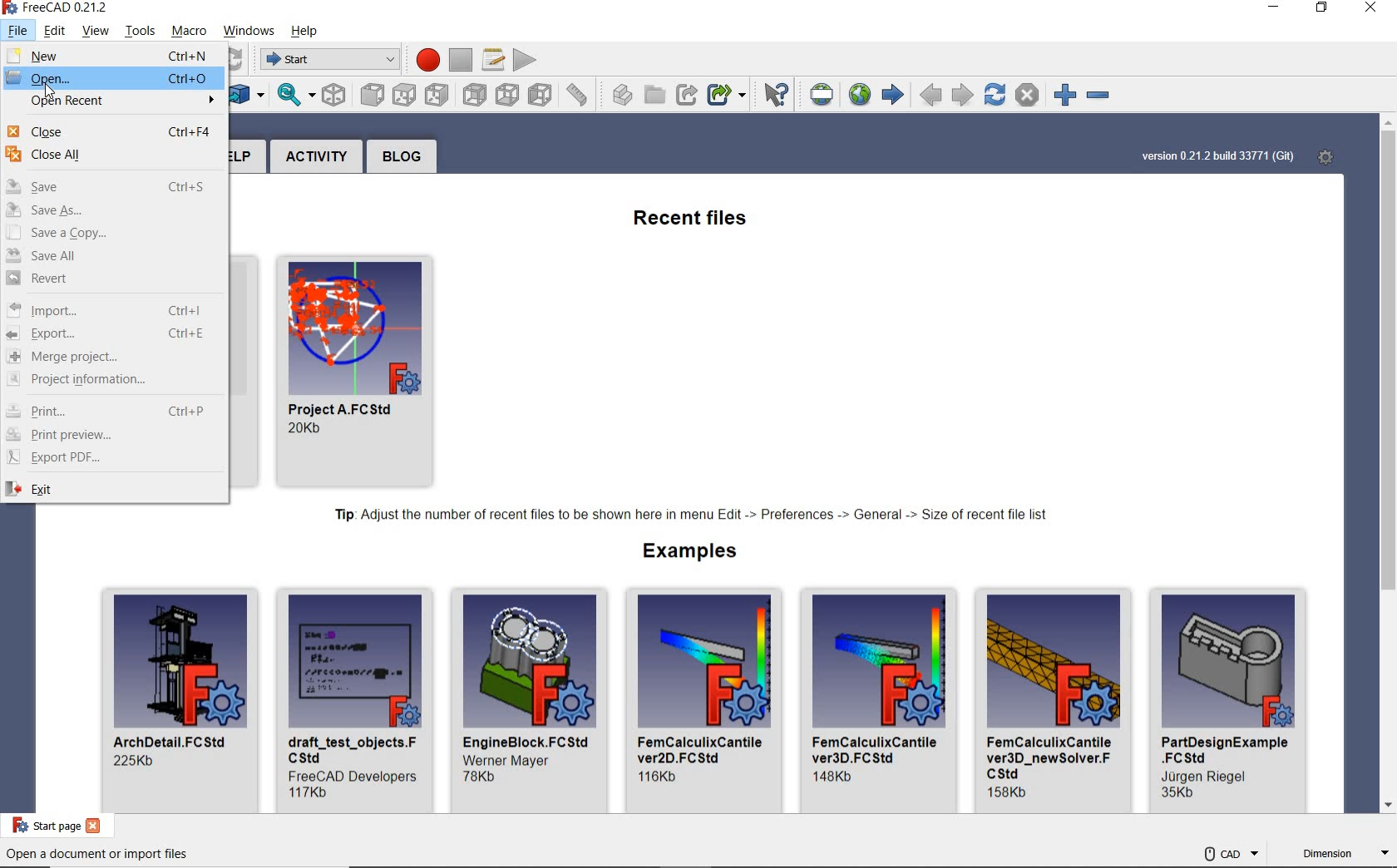 Image resolution: width=1397 pixels, height=868 pixels. What do you see at coordinates (353, 774) in the screenshot?
I see `dev name` at bounding box center [353, 774].